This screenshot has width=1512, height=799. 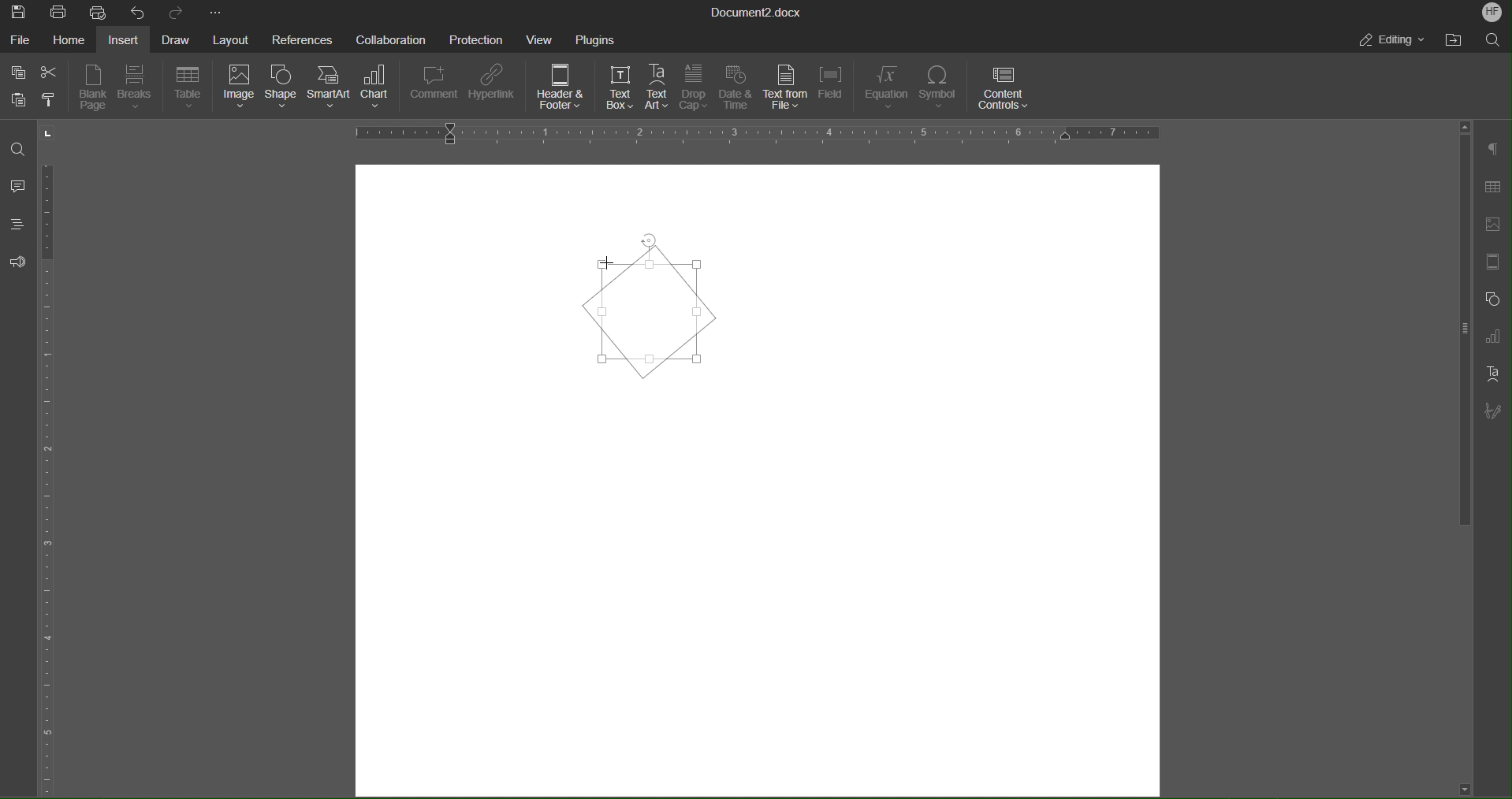 I want to click on Equation, so click(x=886, y=87).